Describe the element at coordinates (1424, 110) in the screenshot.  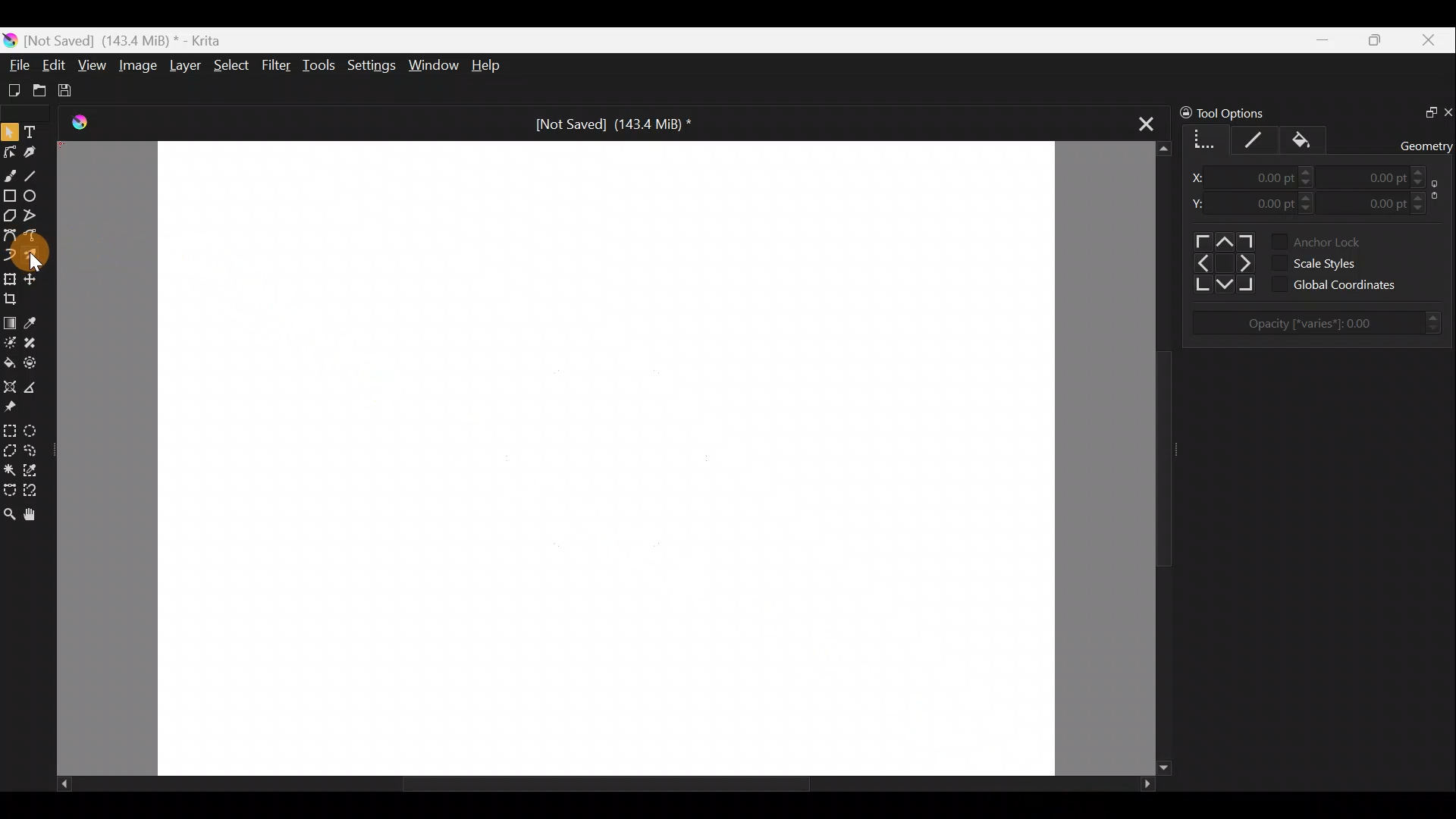
I see `Float docker` at that location.